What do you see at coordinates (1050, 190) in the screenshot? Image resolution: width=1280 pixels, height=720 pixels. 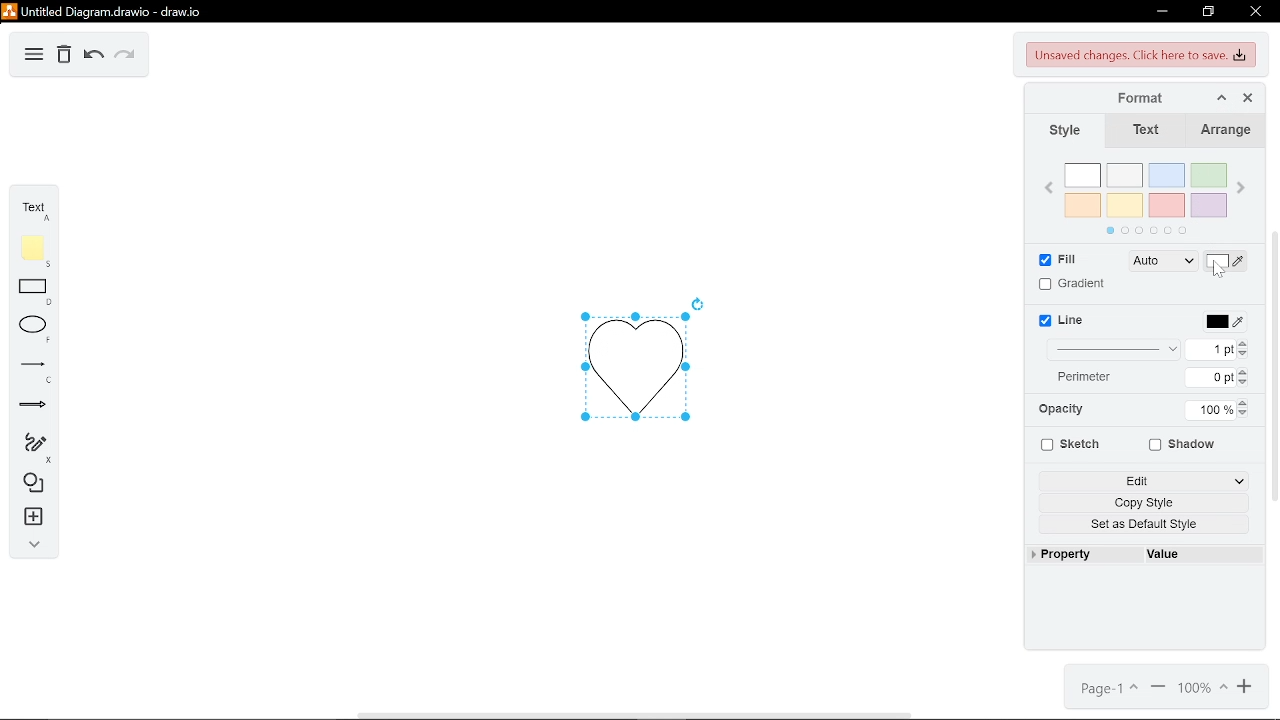 I see `previous` at bounding box center [1050, 190].